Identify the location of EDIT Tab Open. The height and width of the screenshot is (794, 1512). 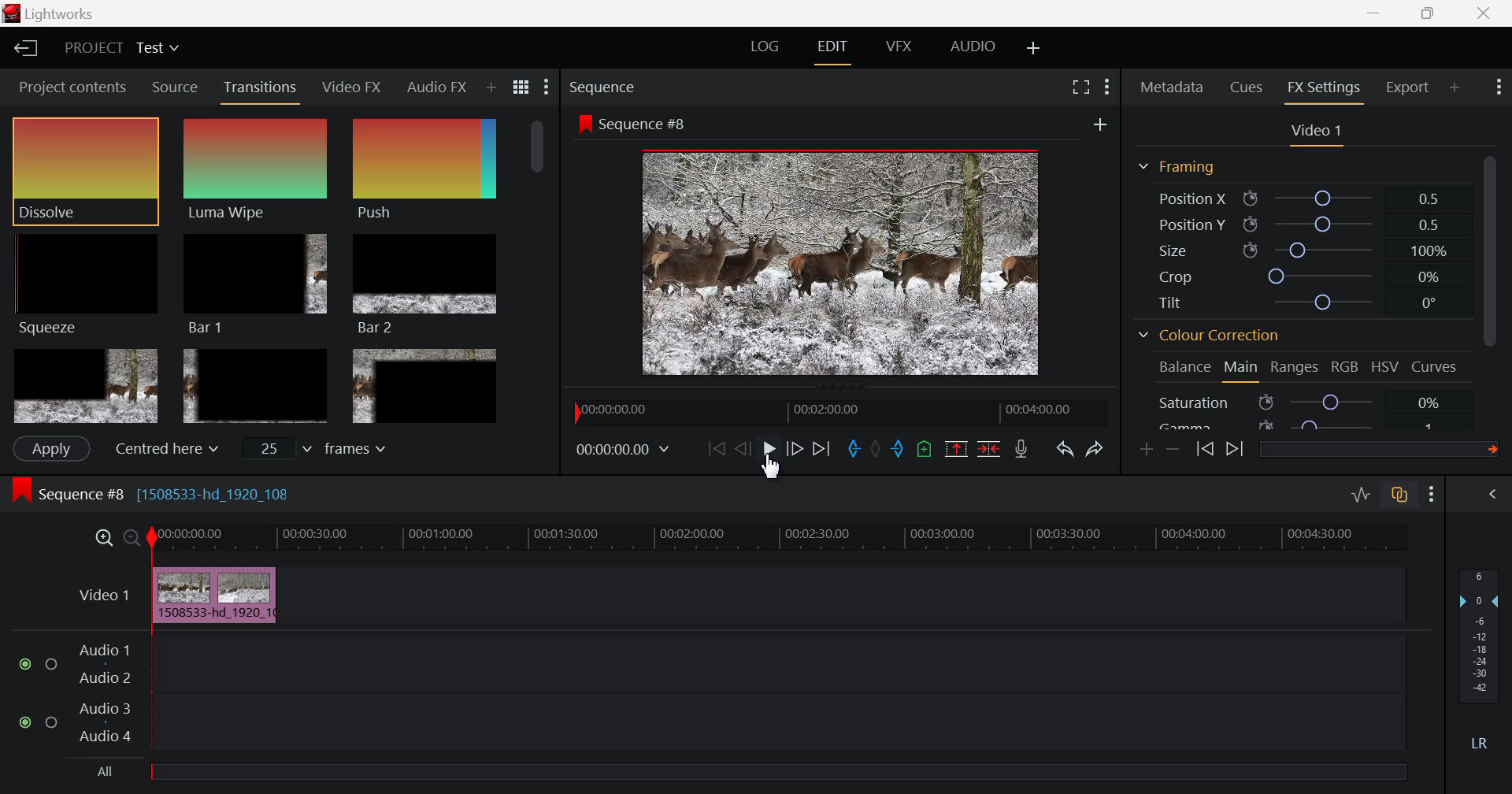
(836, 46).